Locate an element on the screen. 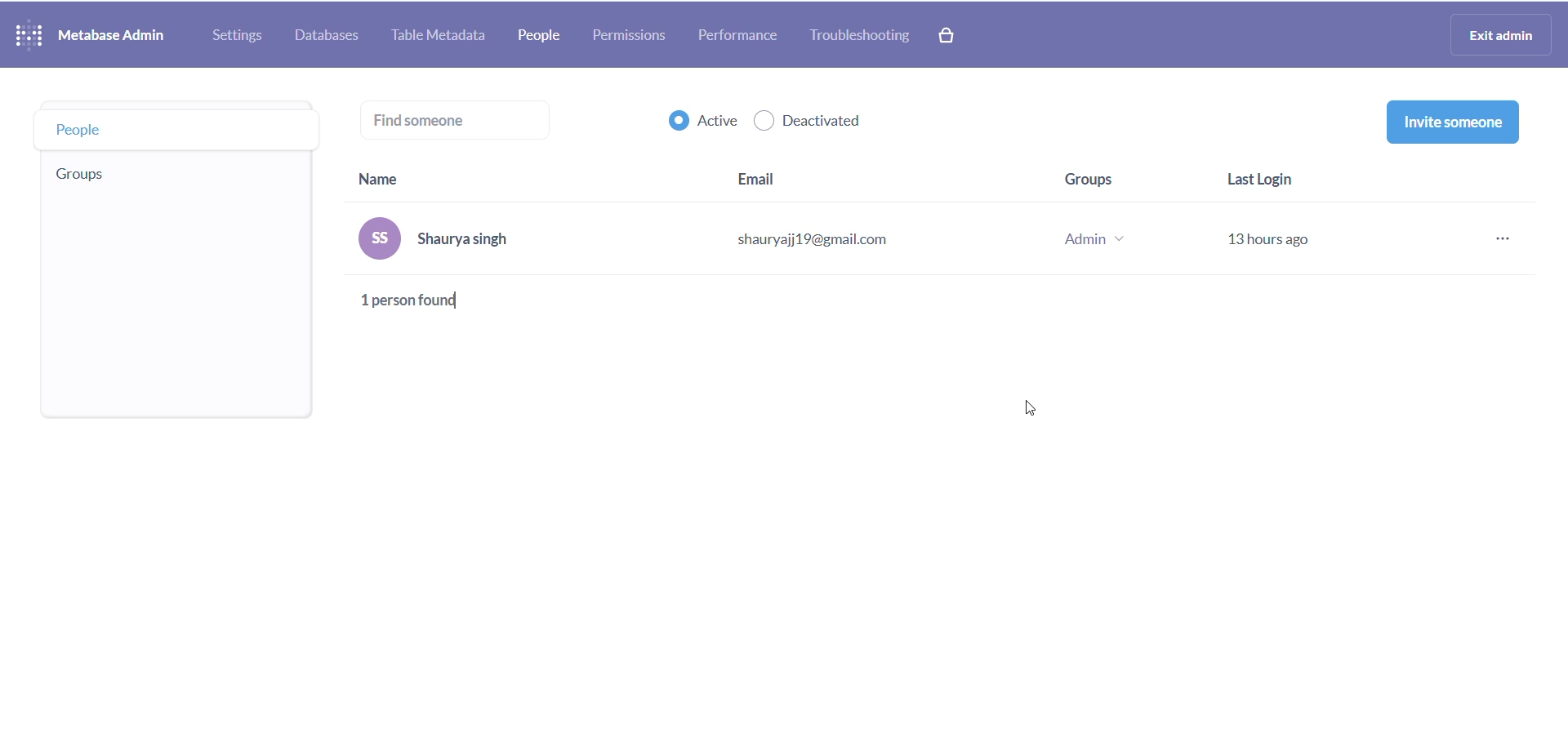 This screenshot has height=743, width=1568. troubleshooting is located at coordinates (864, 35).